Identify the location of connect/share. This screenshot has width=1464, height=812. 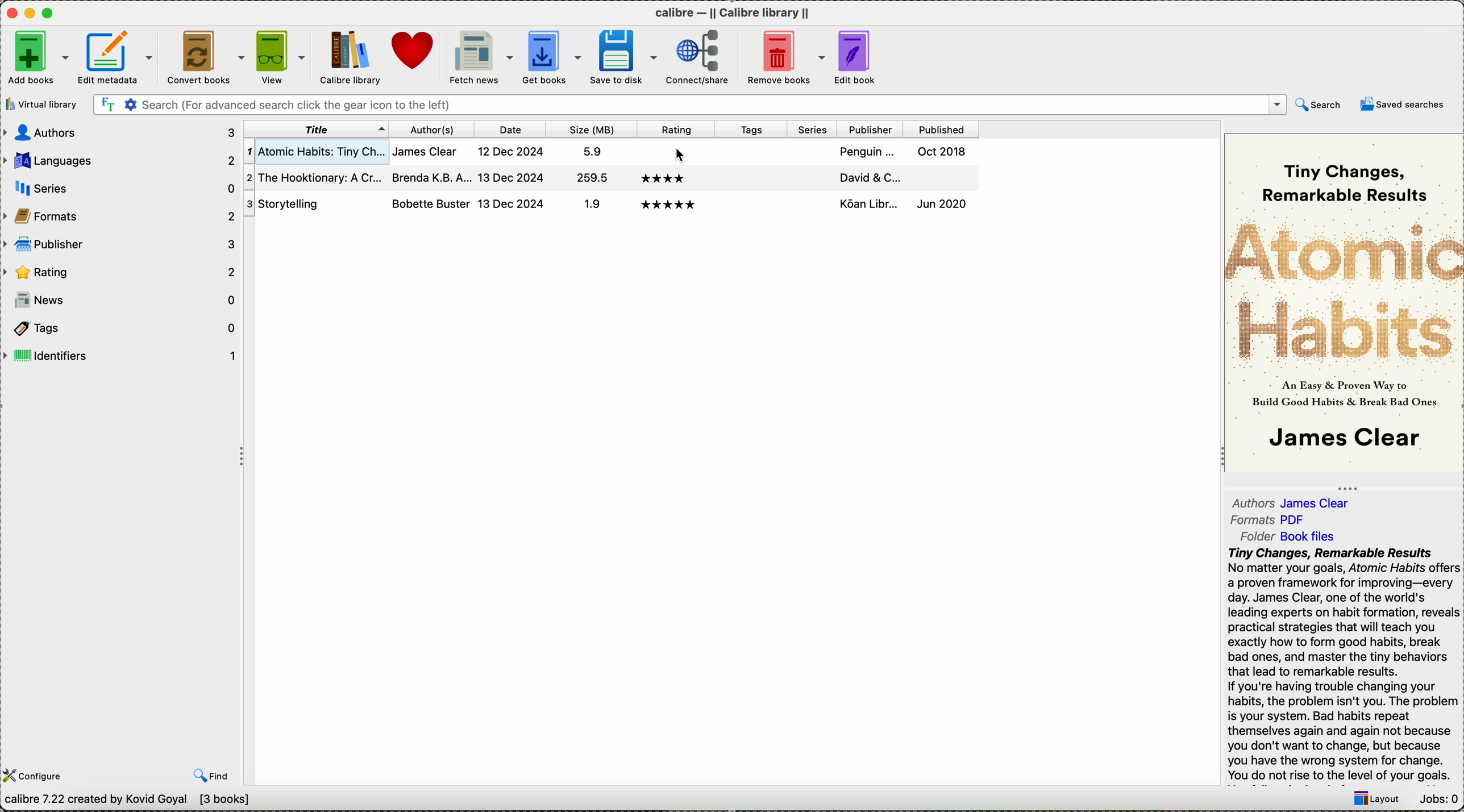
(701, 59).